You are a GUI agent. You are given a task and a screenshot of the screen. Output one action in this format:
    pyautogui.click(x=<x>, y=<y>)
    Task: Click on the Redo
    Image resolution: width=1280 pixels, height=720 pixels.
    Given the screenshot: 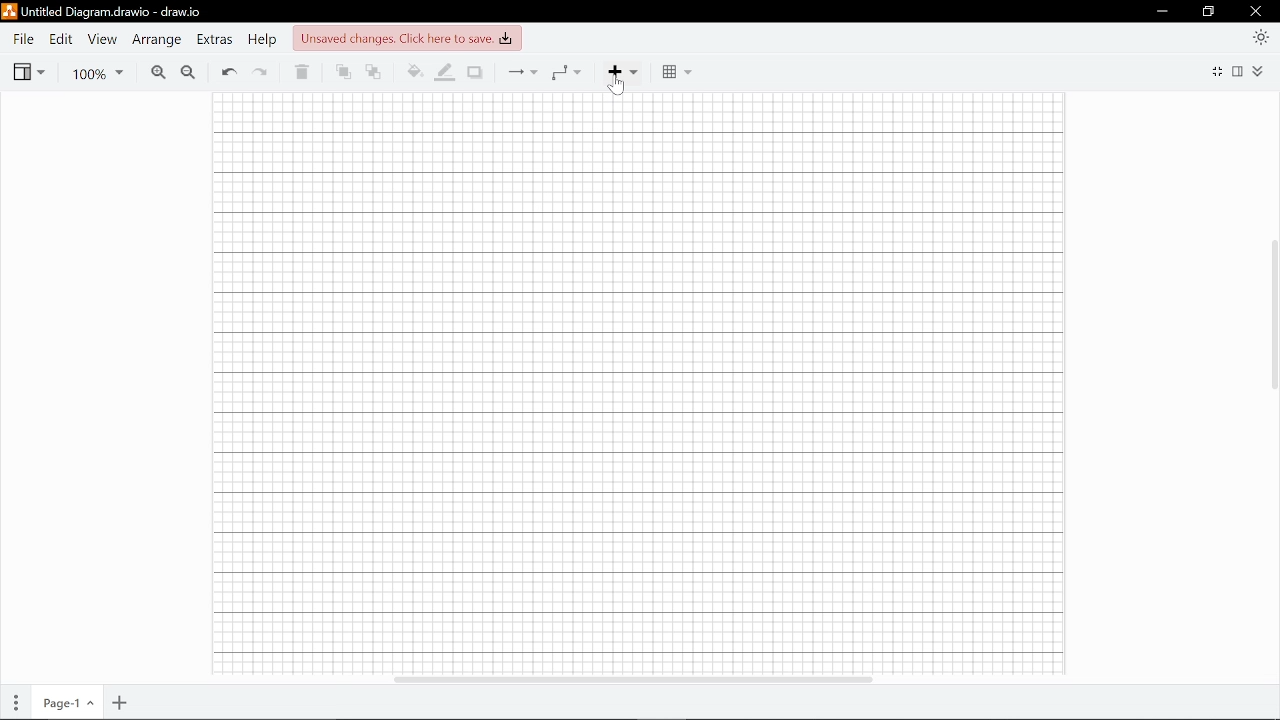 What is the action you would take?
    pyautogui.click(x=261, y=71)
    